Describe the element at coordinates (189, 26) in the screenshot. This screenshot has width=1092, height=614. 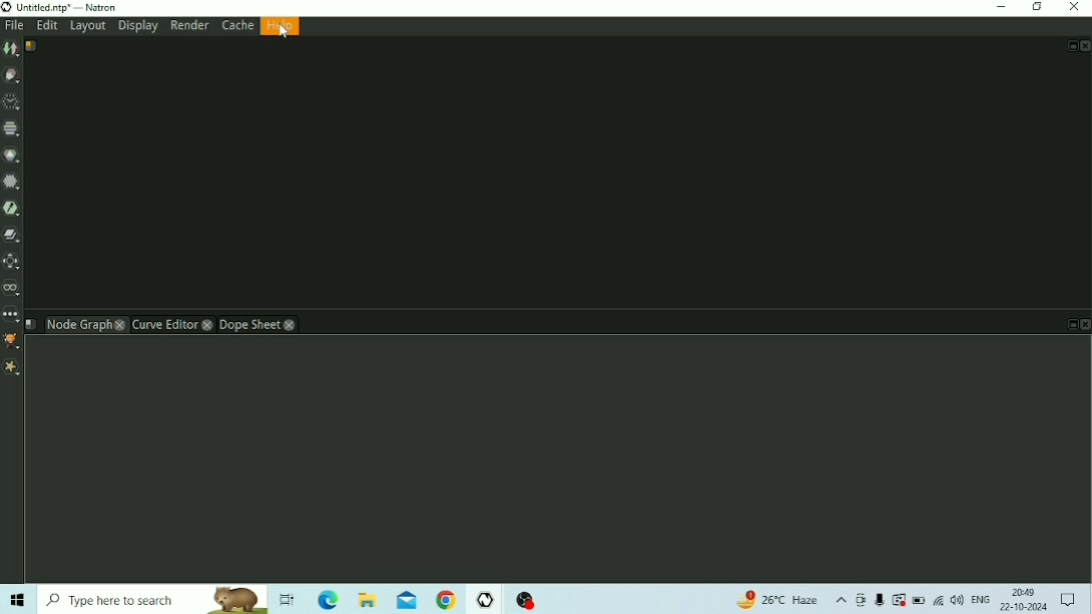
I see `Render` at that location.